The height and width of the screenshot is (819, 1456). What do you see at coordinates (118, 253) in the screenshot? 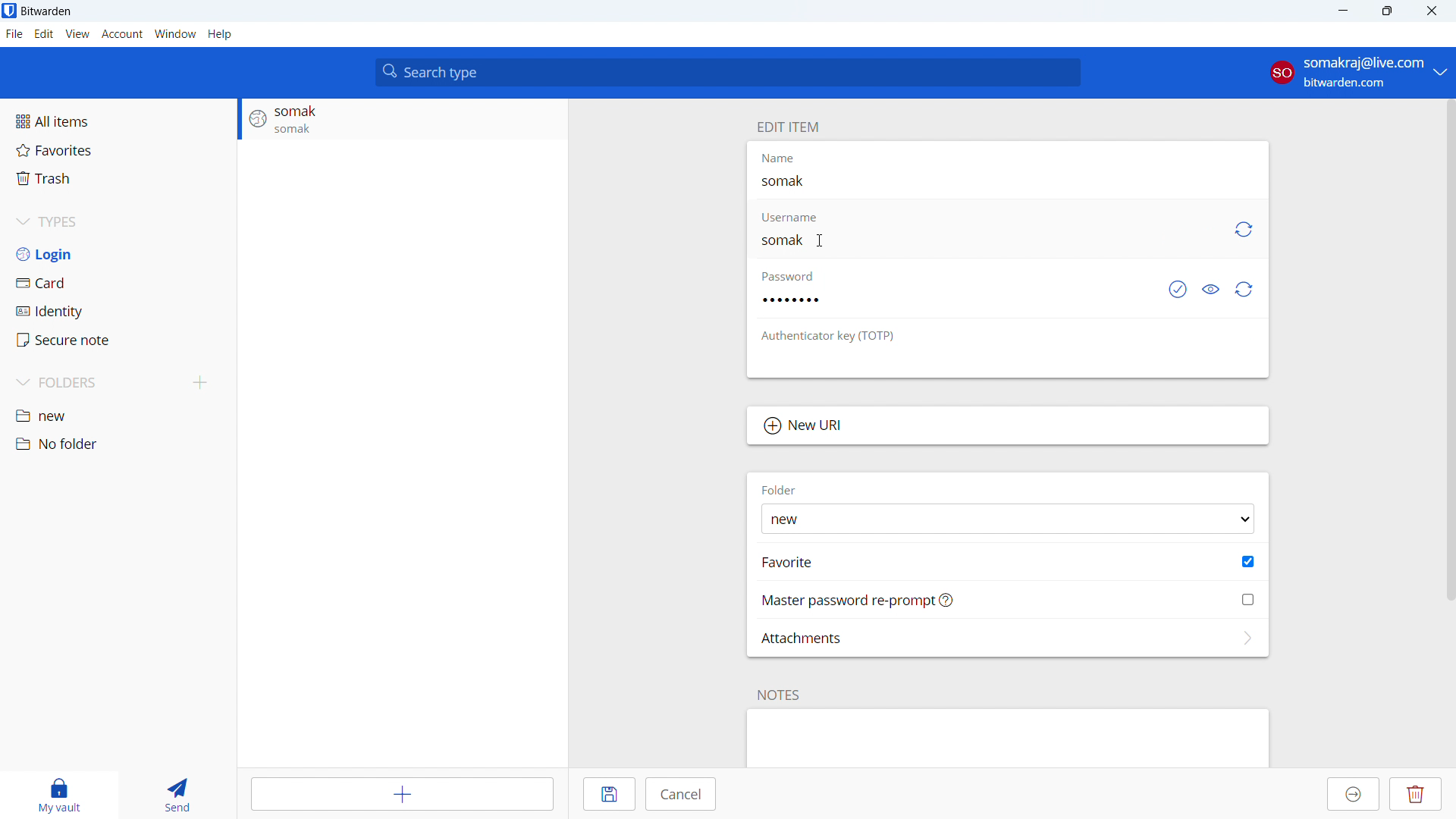
I see `login` at bounding box center [118, 253].